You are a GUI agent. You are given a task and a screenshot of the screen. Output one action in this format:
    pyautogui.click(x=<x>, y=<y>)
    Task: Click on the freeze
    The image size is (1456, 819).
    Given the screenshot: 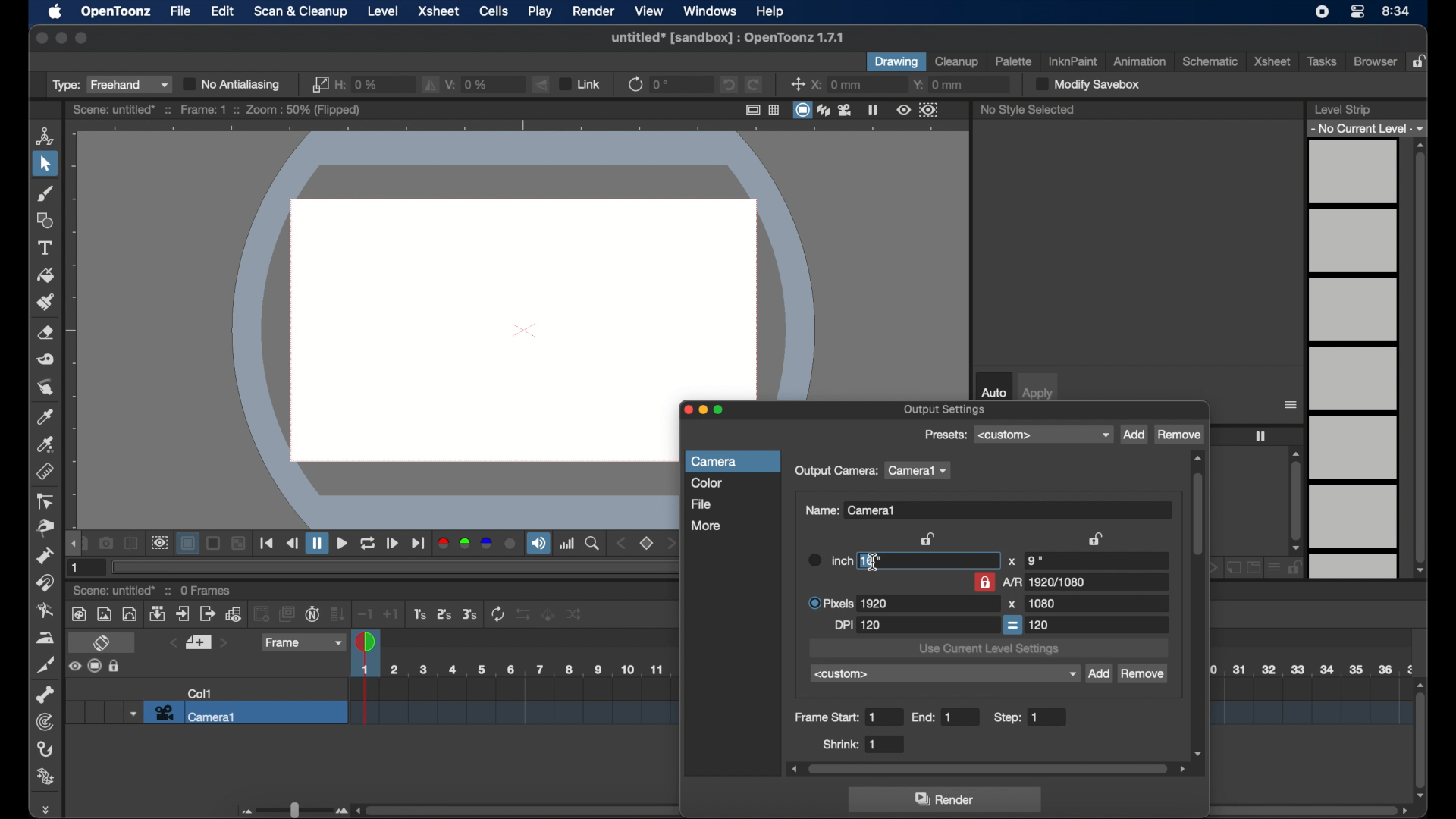 What is the action you would take?
    pyautogui.click(x=1260, y=436)
    